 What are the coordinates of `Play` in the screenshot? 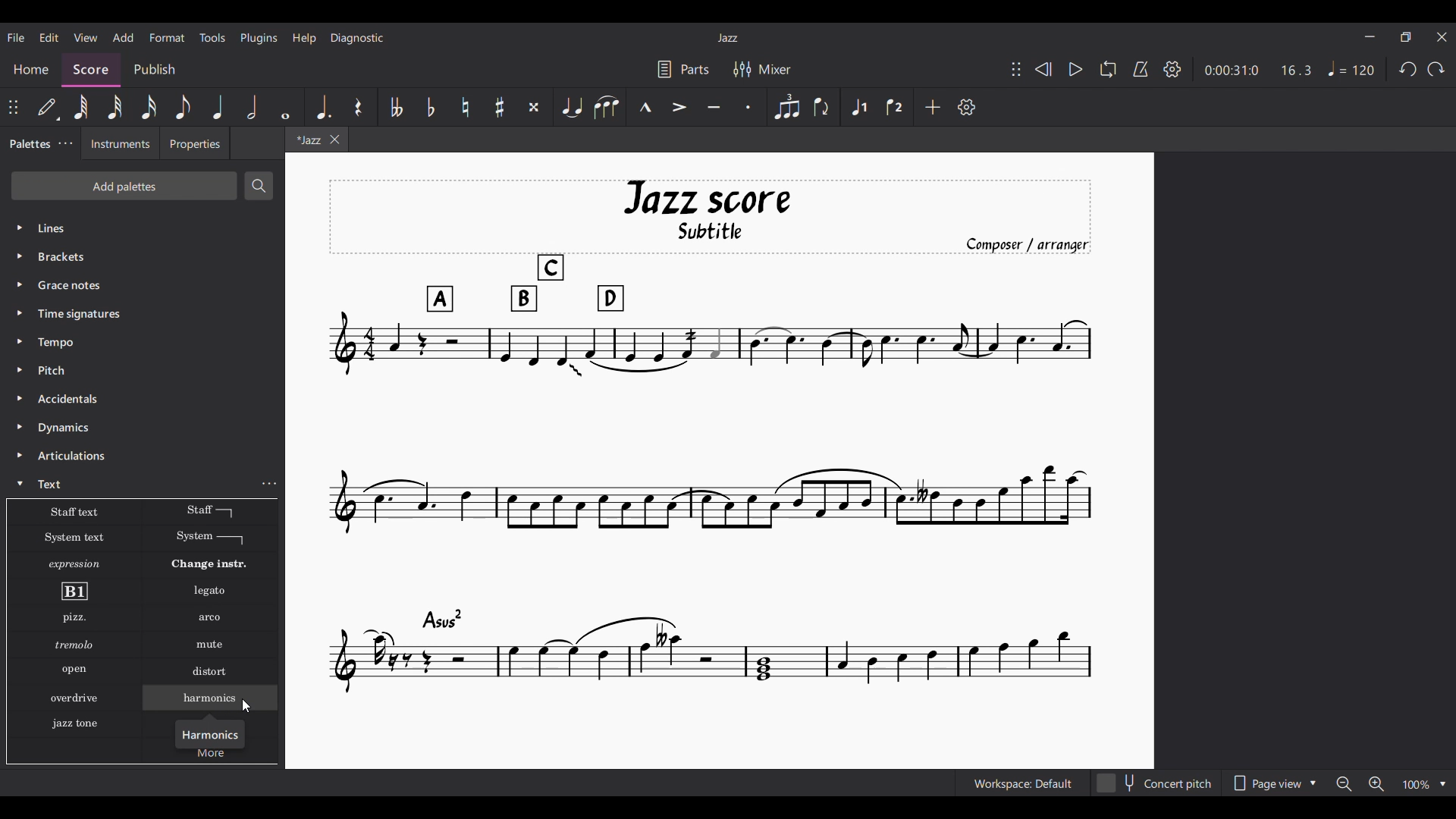 It's located at (1076, 69).